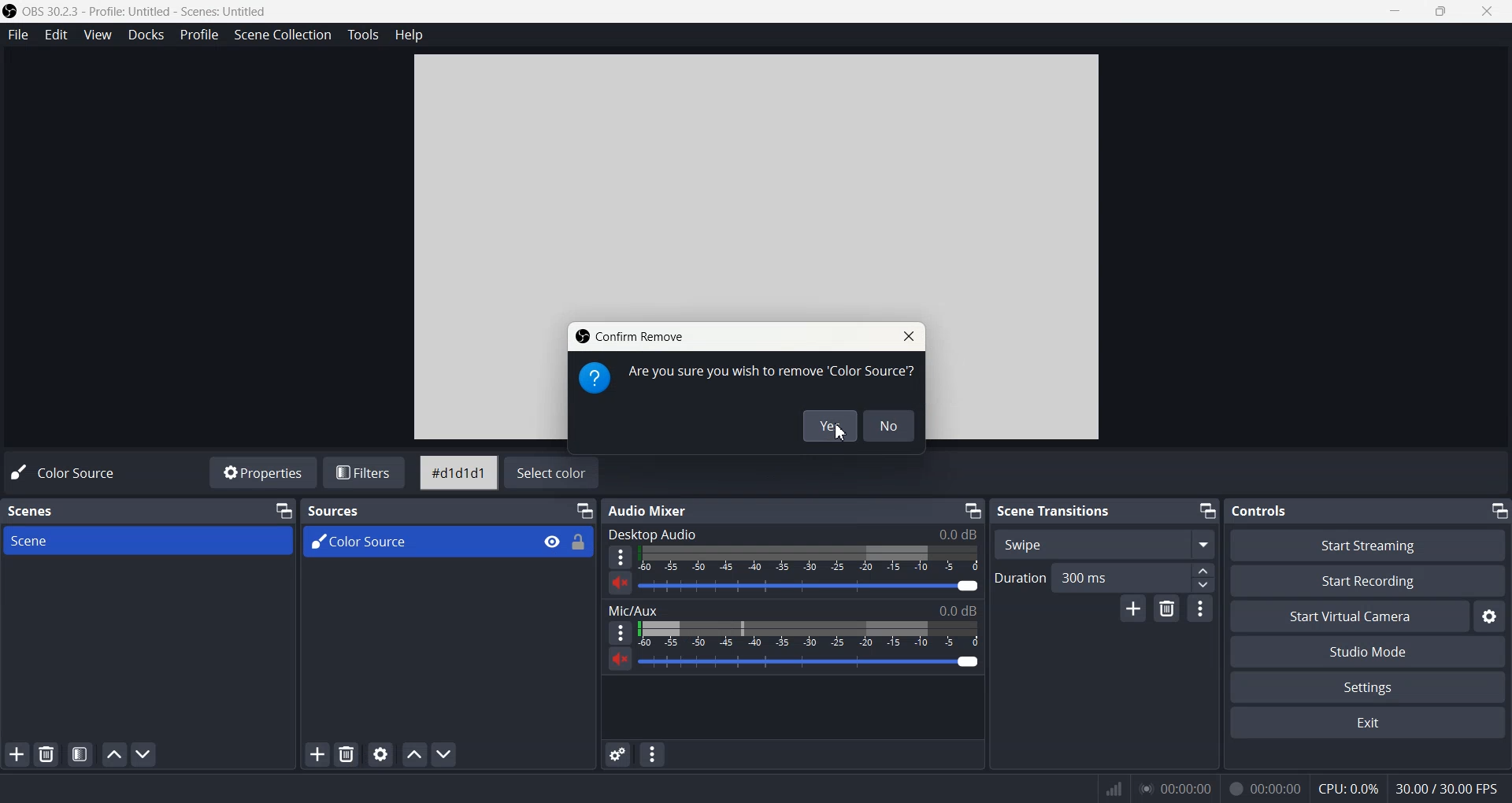 The width and height of the screenshot is (1512, 803). What do you see at coordinates (260, 472) in the screenshot?
I see `Properties` at bounding box center [260, 472].